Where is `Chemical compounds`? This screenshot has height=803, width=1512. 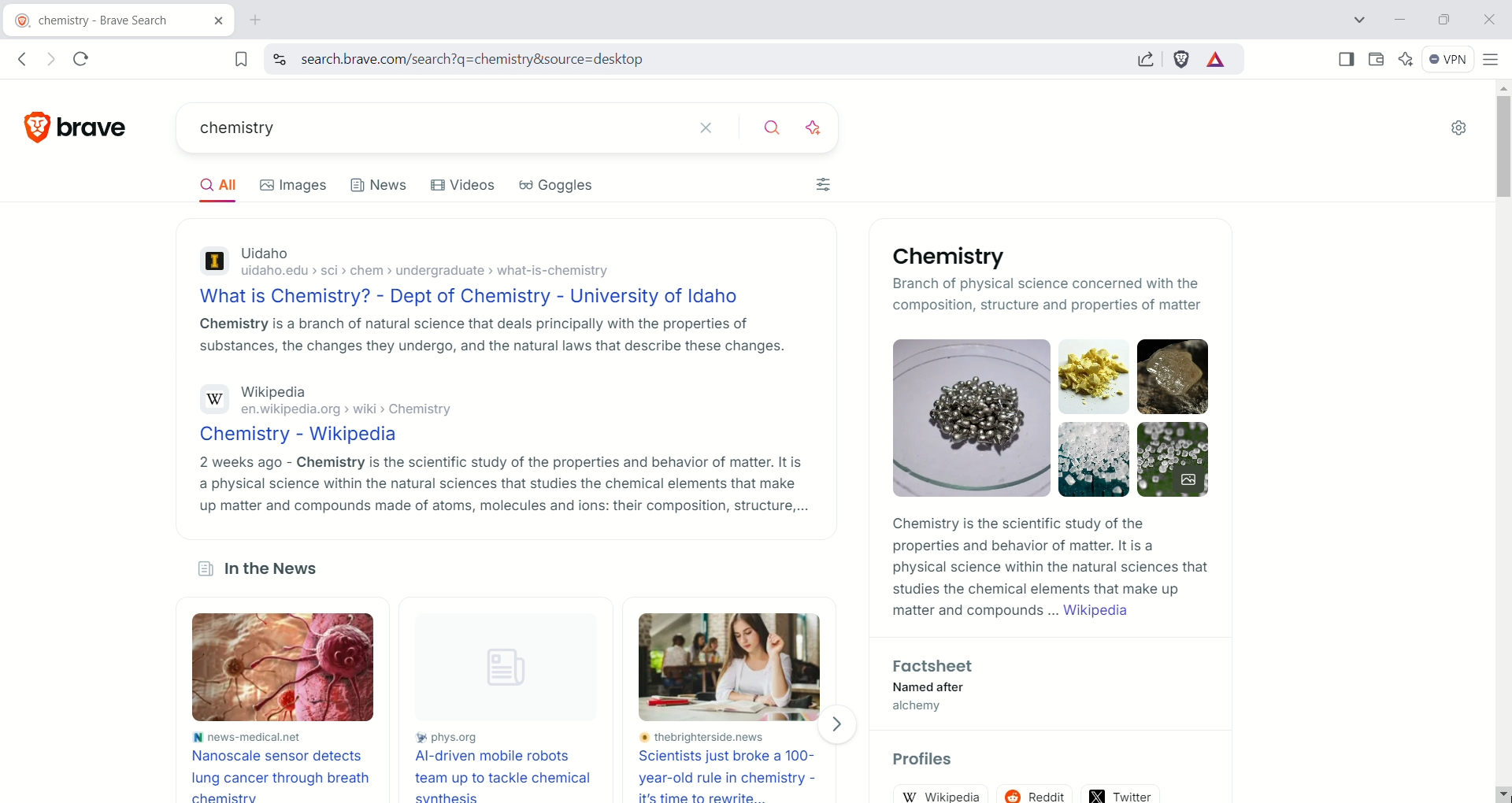
Chemical compounds is located at coordinates (1054, 417).